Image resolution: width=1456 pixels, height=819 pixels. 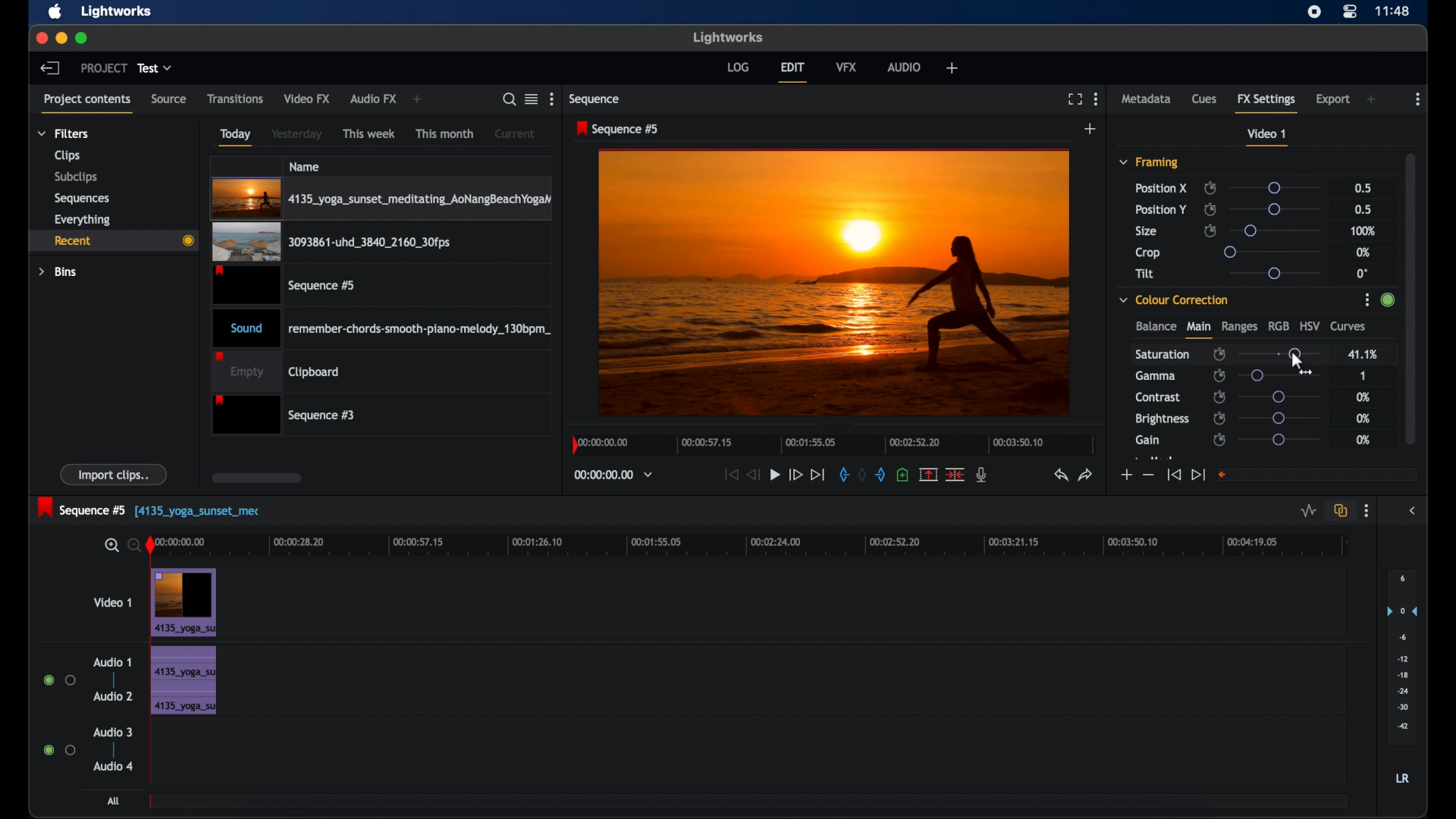 What do you see at coordinates (1401, 657) in the screenshot?
I see `audio output levels` at bounding box center [1401, 657].